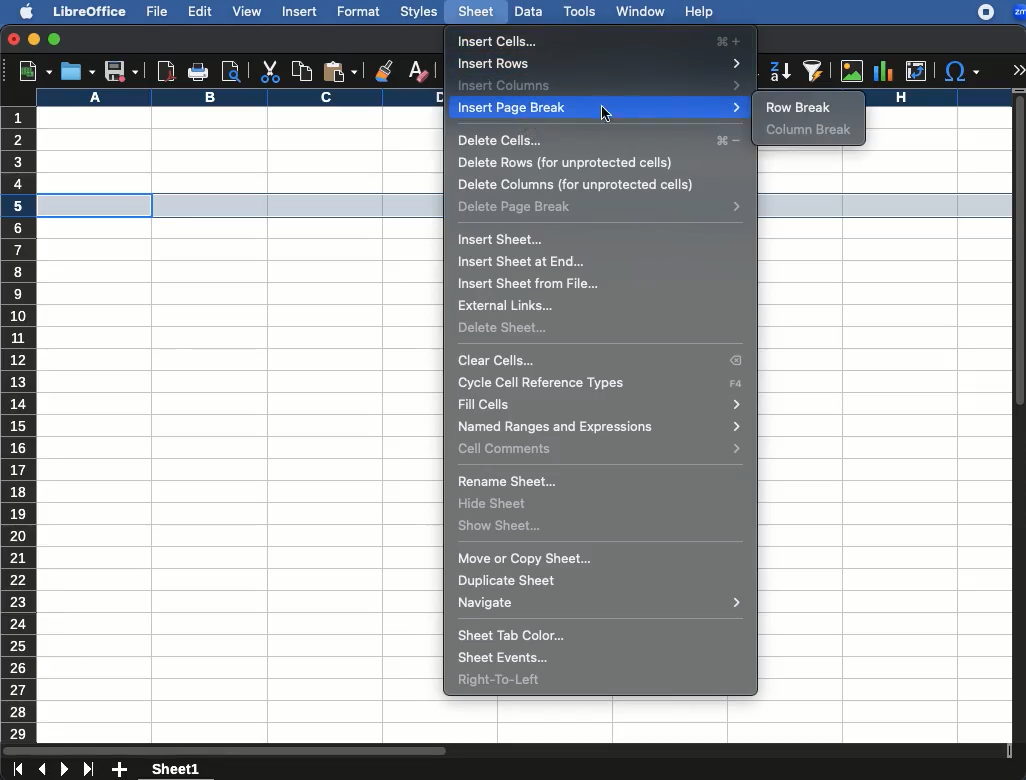  Describe the element at coordinates (31, 71) in the screenshot. I see `new` at that location.